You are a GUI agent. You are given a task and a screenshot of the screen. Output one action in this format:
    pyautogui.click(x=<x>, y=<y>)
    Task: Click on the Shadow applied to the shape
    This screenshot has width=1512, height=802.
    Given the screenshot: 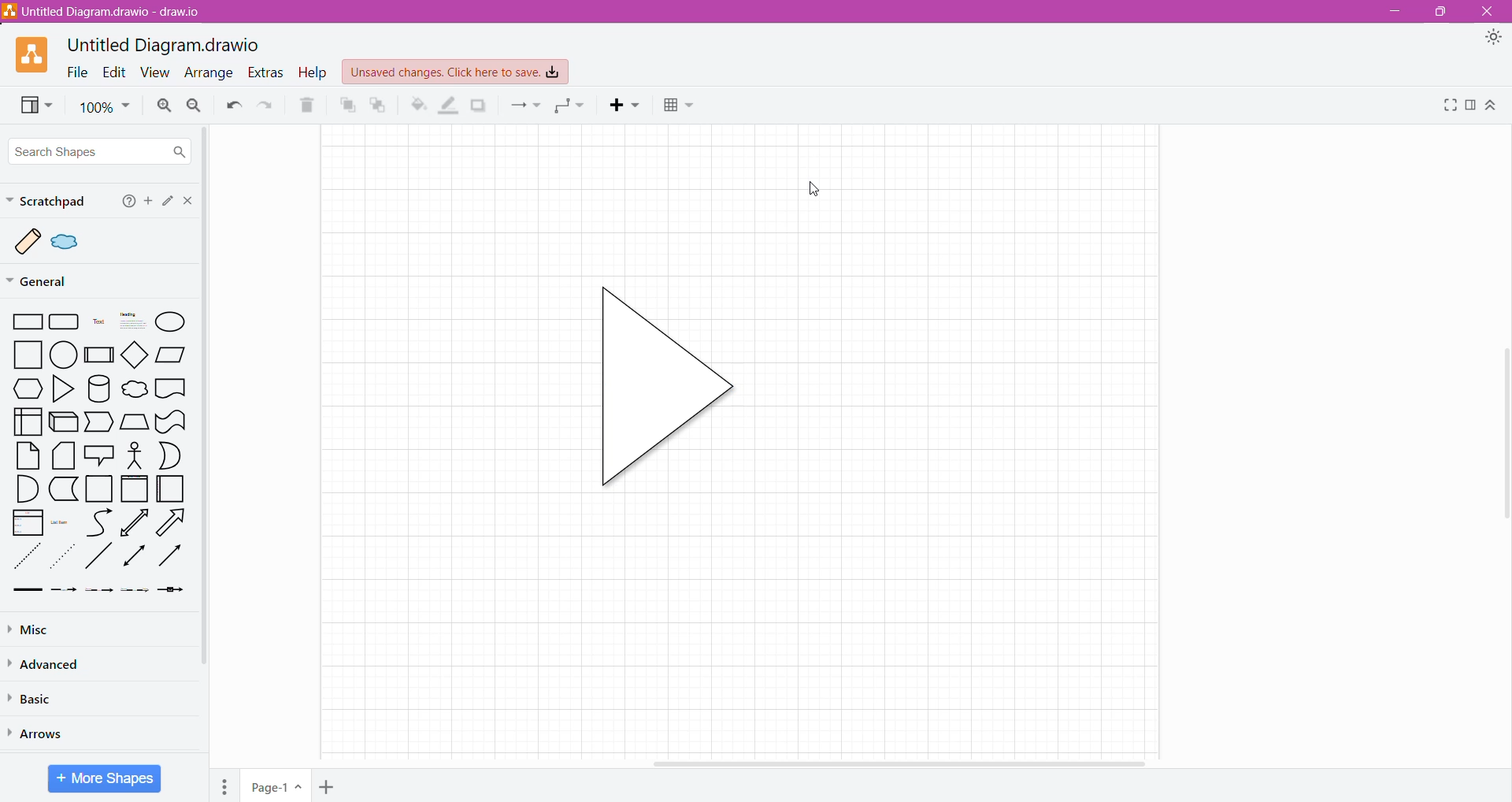 What is the action you would take?
    pyautogui.click(x=660, y=388)
    